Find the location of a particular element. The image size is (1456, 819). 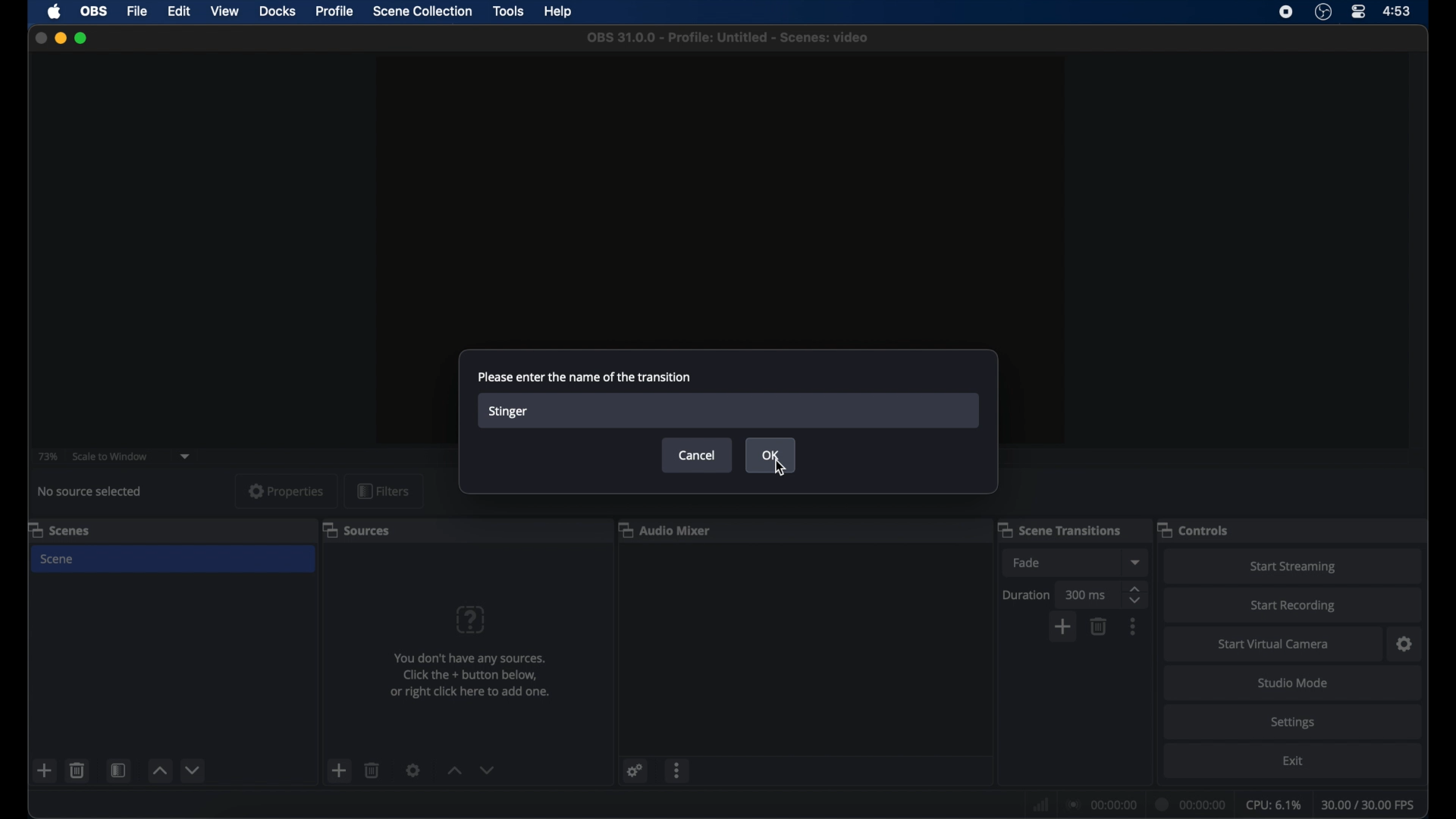

info is located at coordinates (472, 675).